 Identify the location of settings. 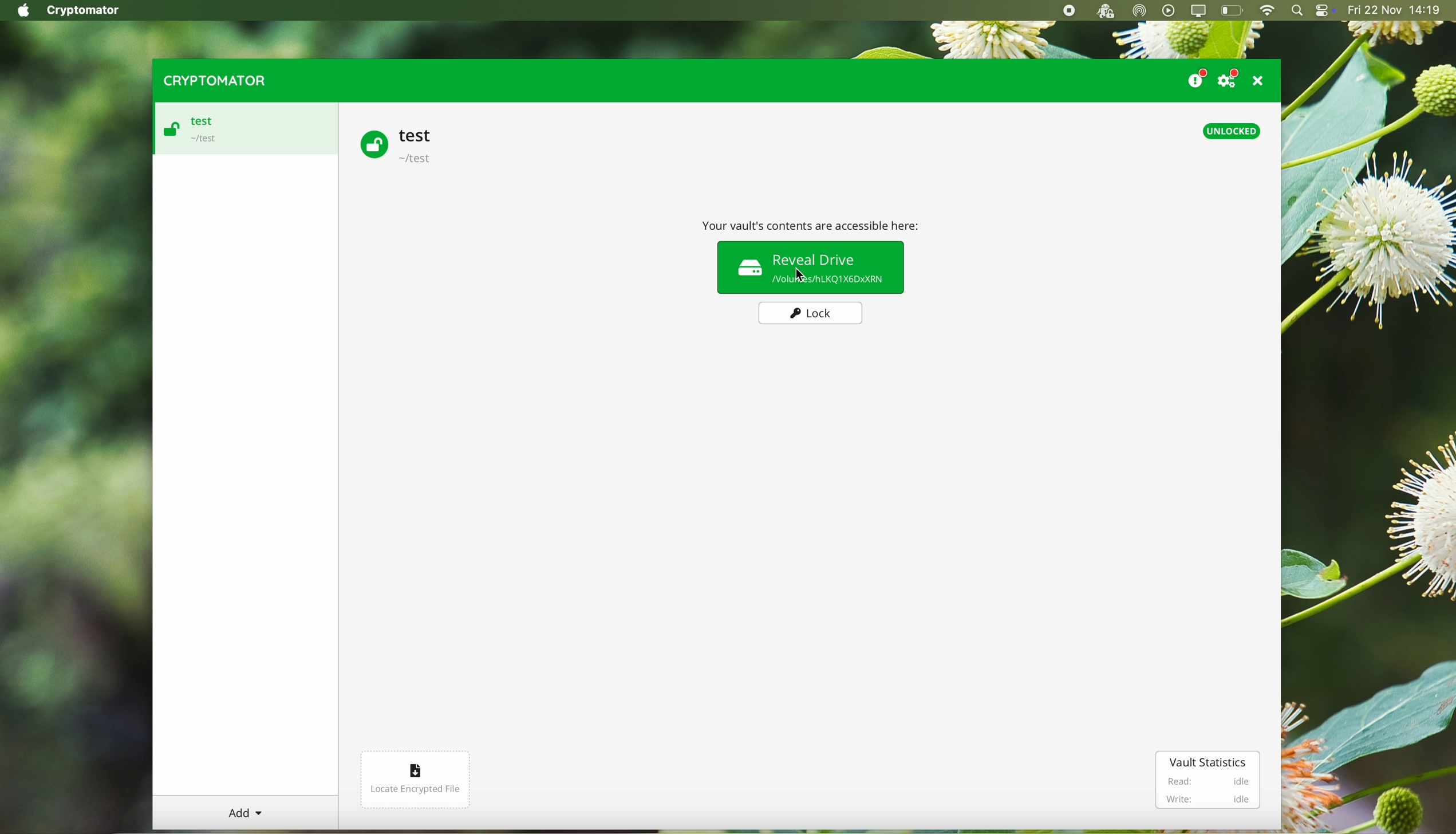
(1231, 78).